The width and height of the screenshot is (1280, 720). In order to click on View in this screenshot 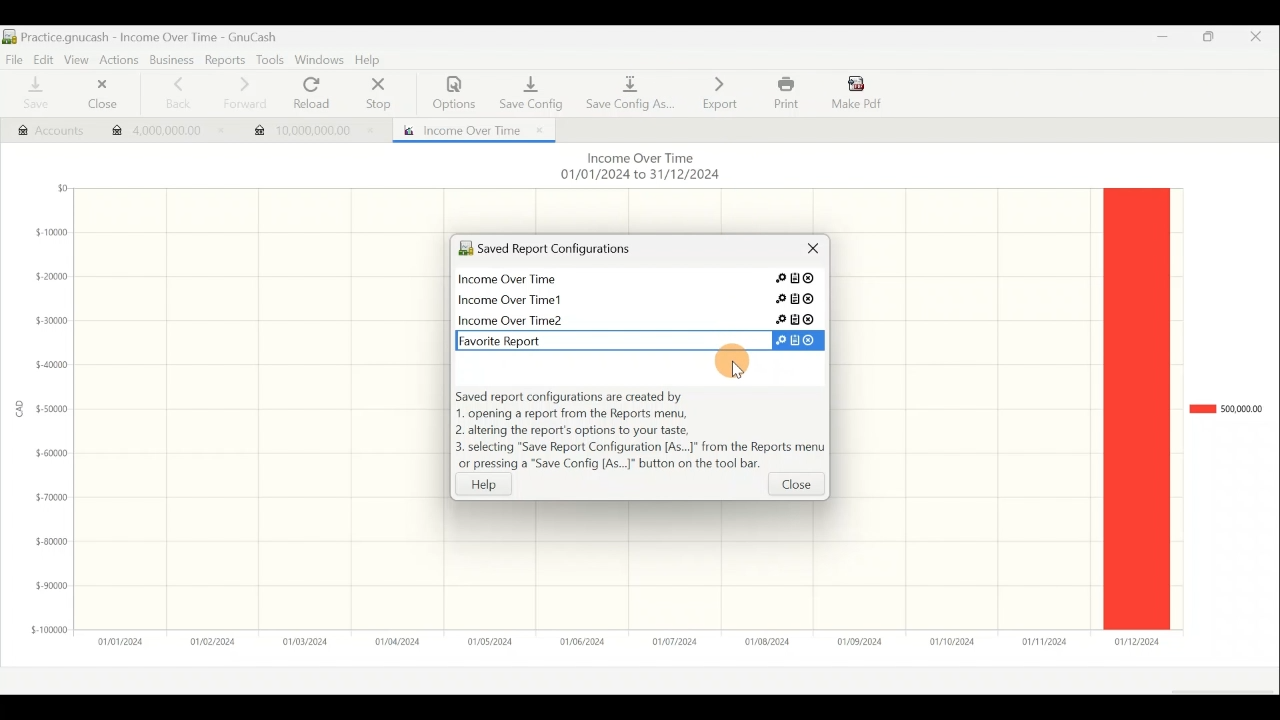, I will do `click(75, 58)`.